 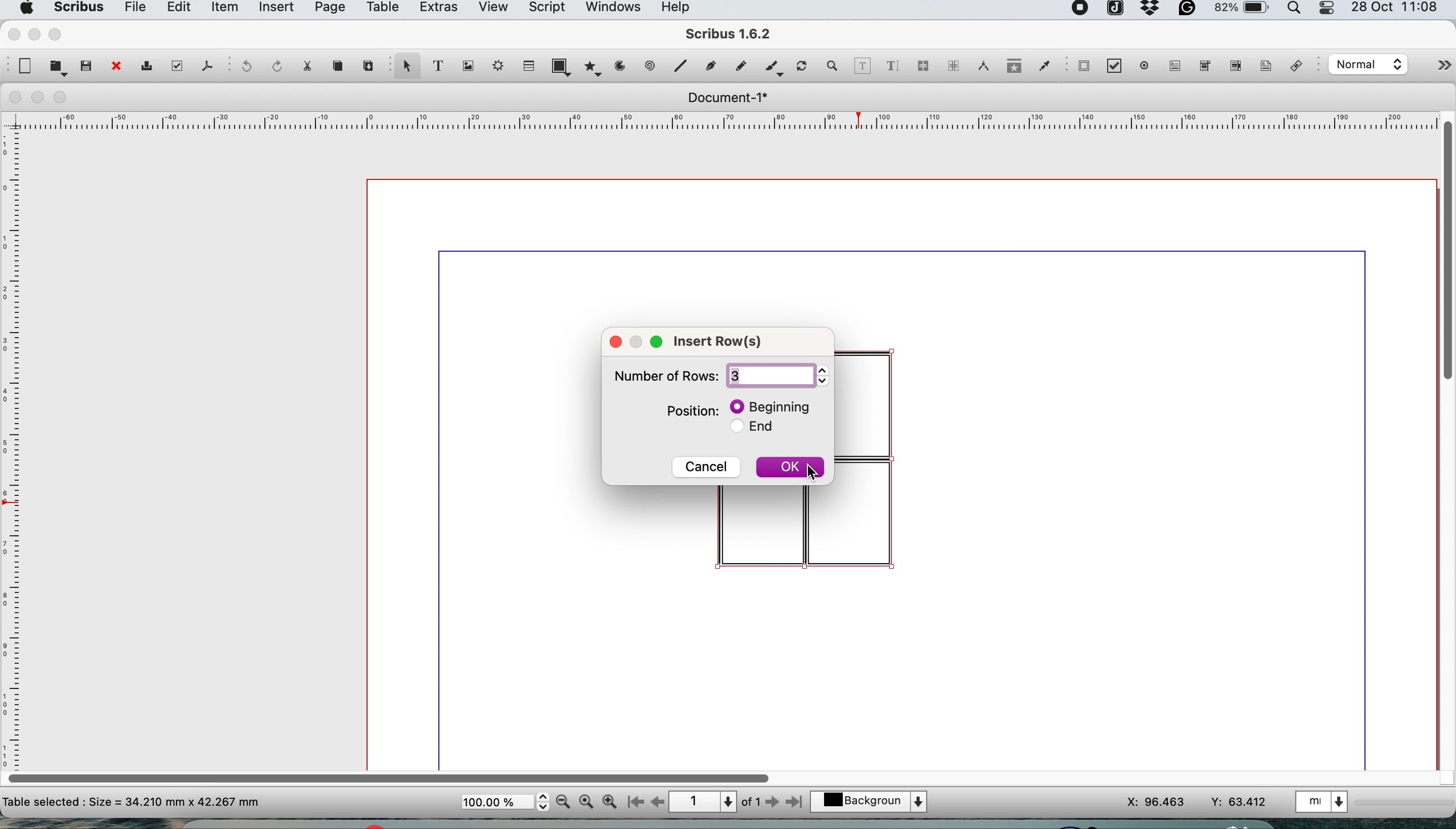 What do you see at coordinates (1324, 801) in the screenshot?
I see `select the current unit` at bounding box center [1324, 801].